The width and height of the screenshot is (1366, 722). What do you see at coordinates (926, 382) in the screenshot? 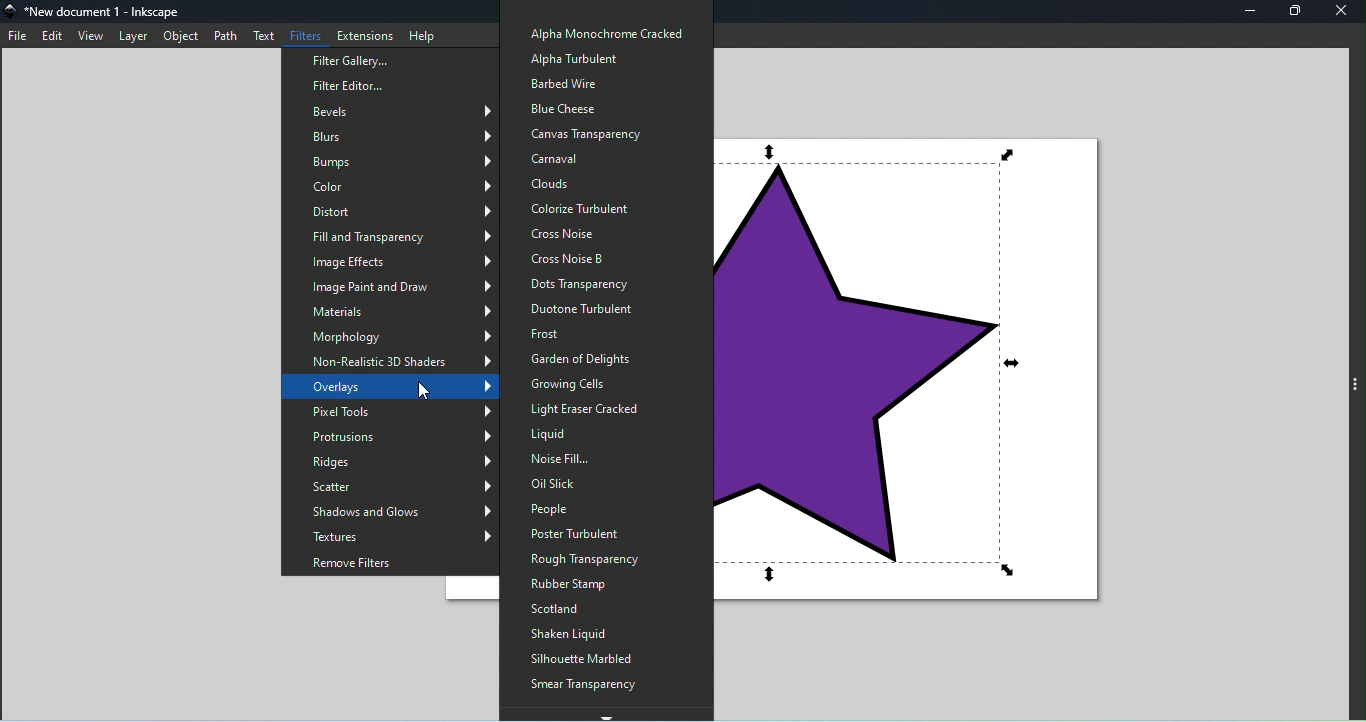
I see `Canvas` at bounding box center [926, 382].